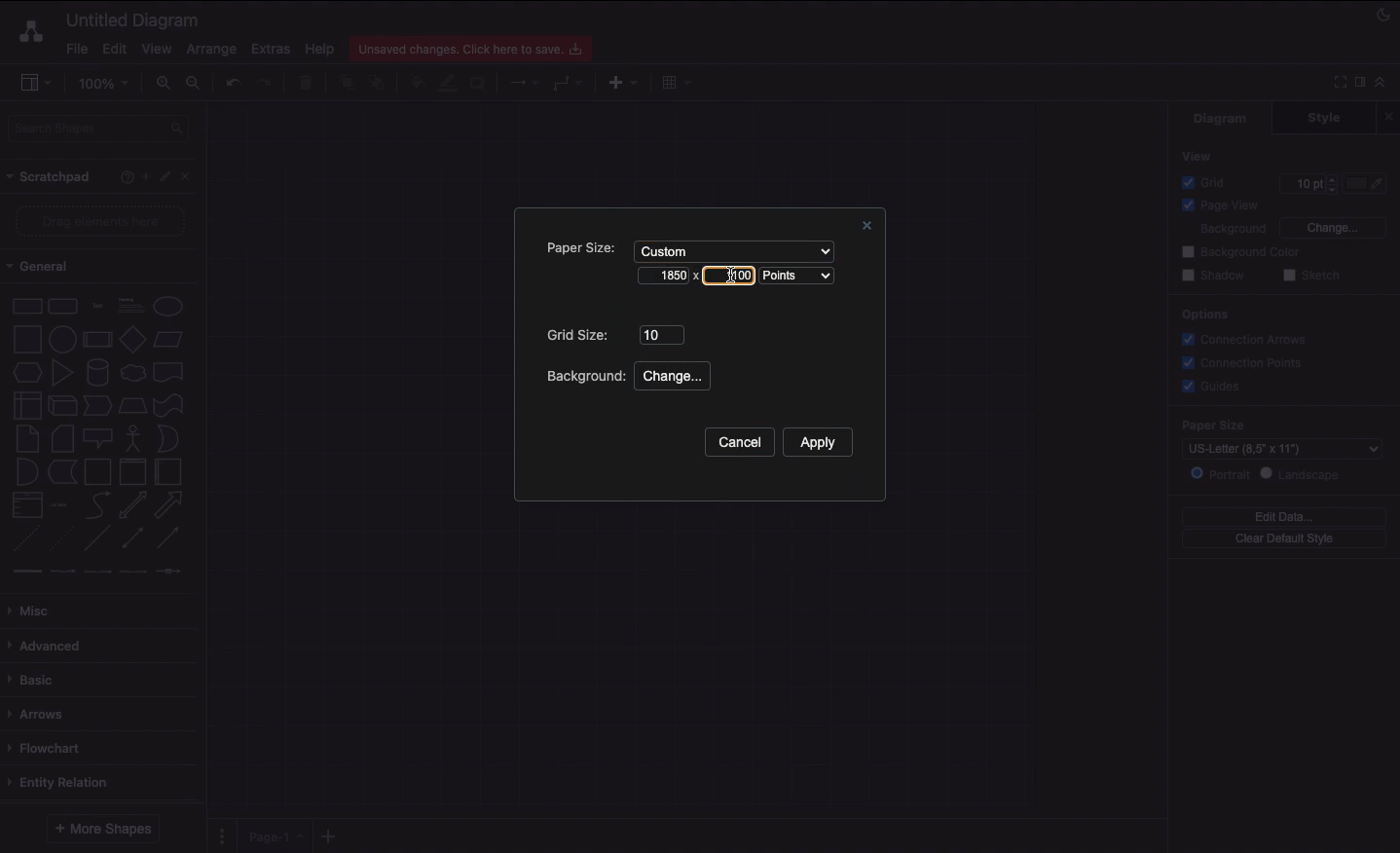 This screenshot has width=1400, height=853. I want to click on Paper size, so click(574, 247).